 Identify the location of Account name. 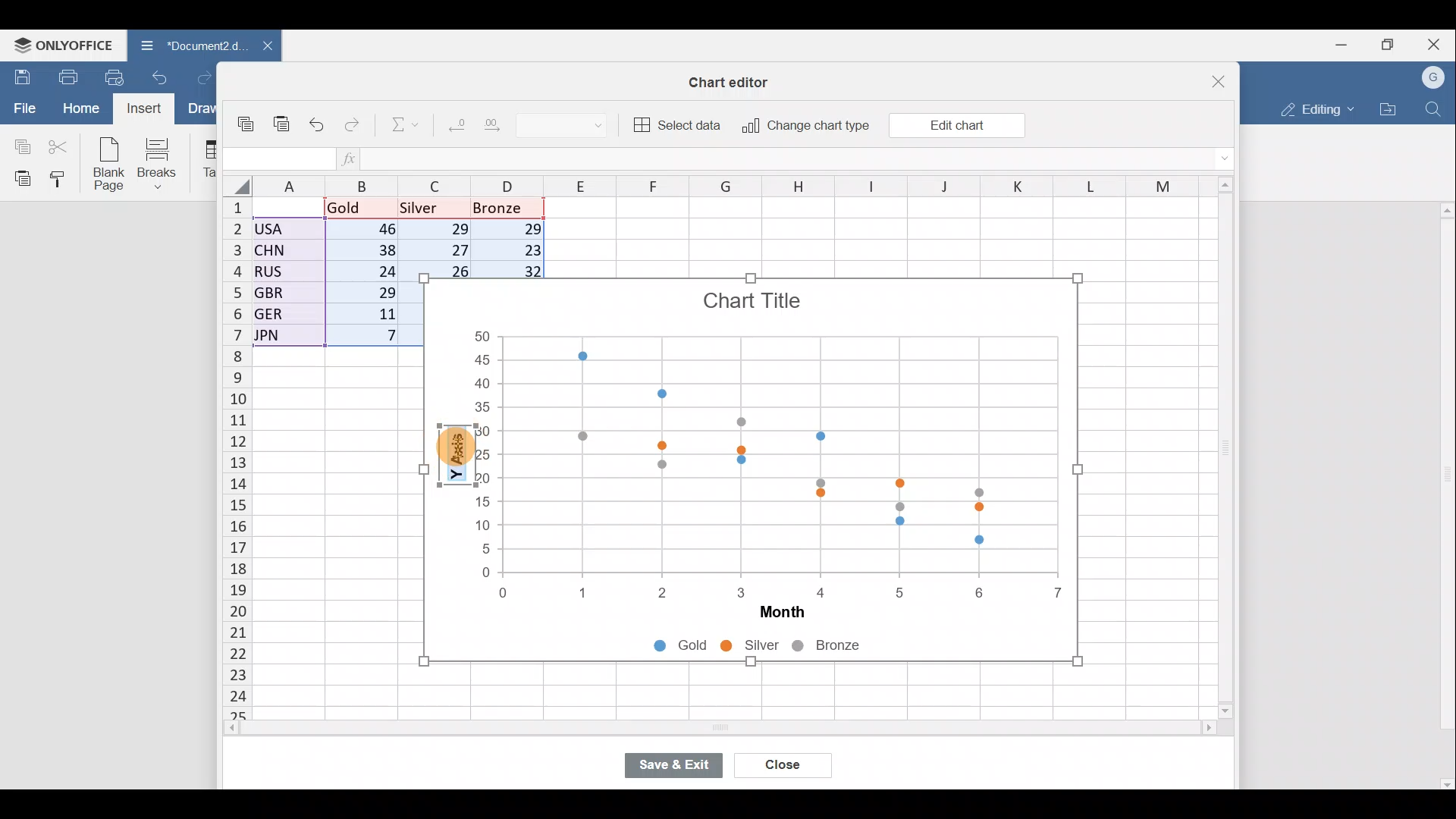
(1435, 76).